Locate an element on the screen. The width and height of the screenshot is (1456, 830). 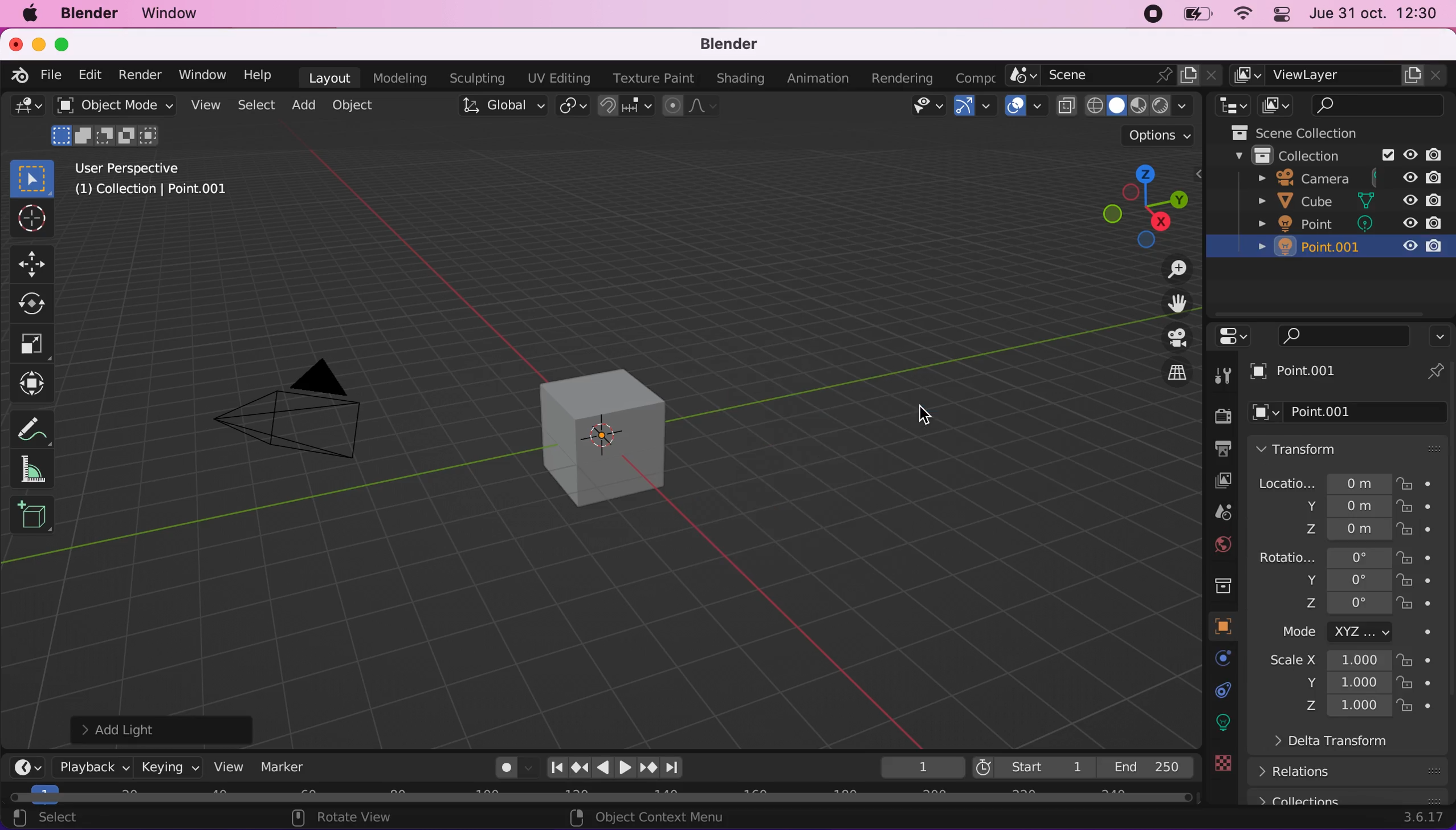
pin is located at coordinates (1441, 371).